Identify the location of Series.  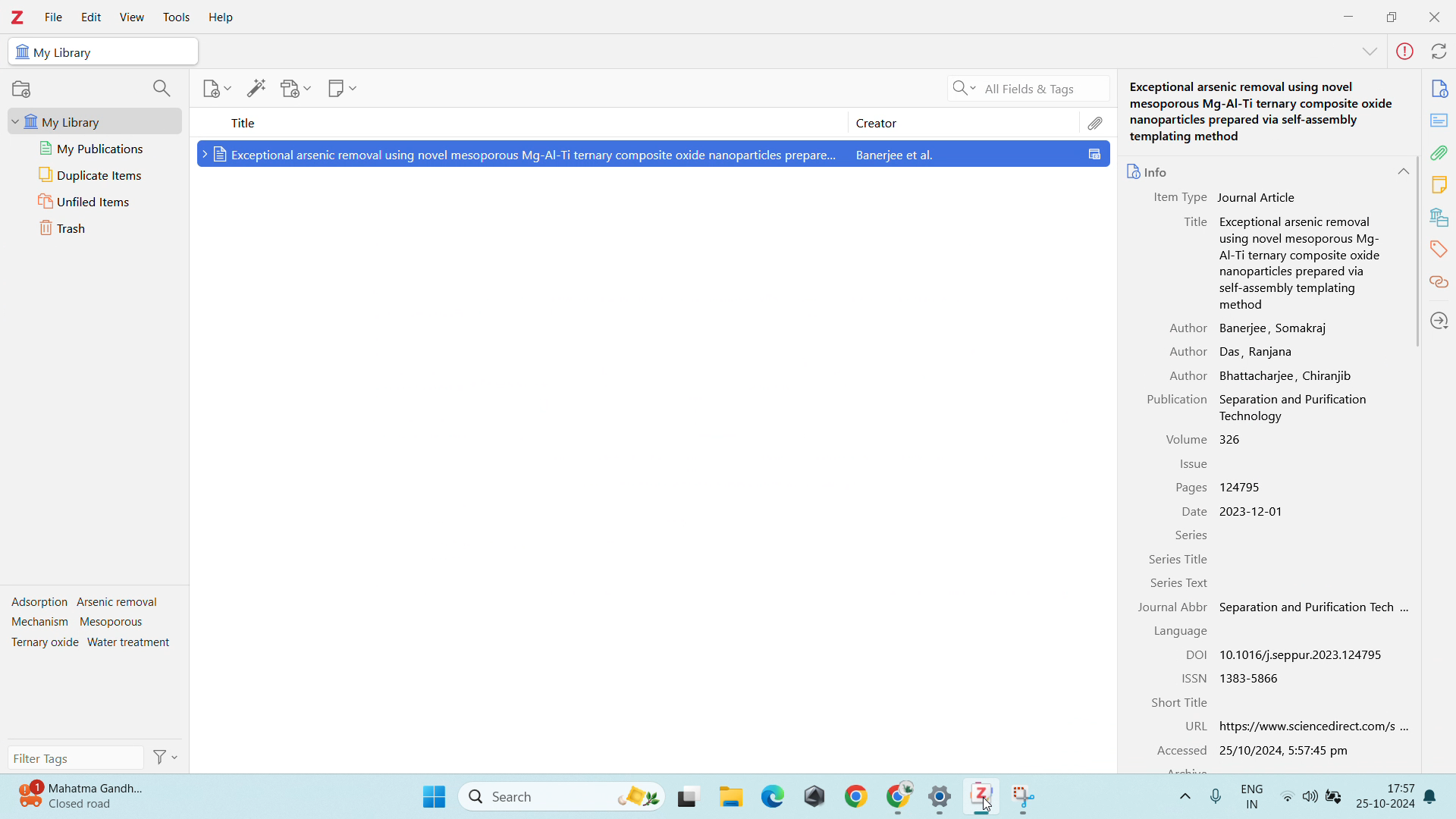
(1193, 536).